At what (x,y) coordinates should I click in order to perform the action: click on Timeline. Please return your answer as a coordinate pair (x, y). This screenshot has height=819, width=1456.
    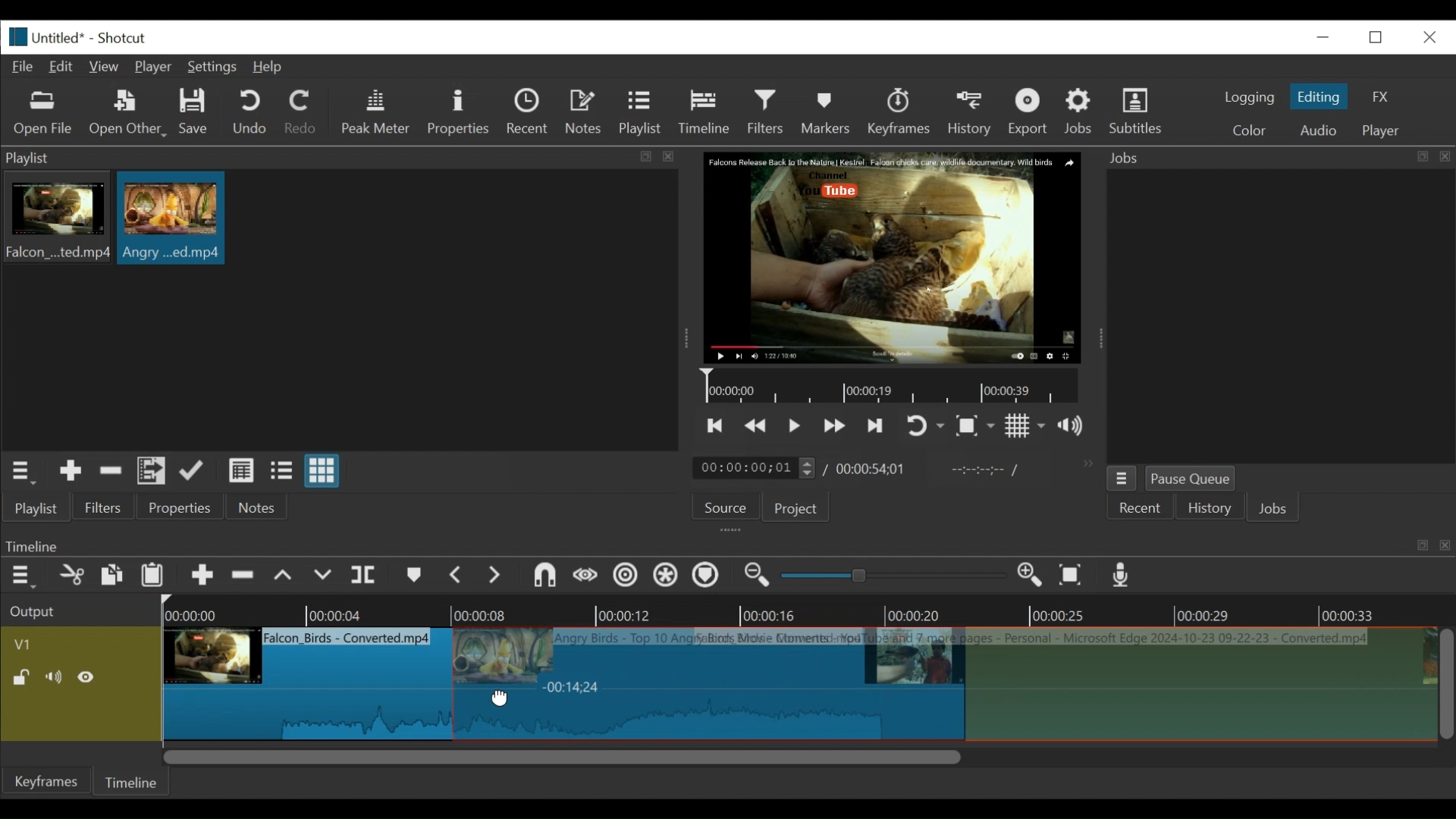
    Looking at the image, I should click on (894, 387).